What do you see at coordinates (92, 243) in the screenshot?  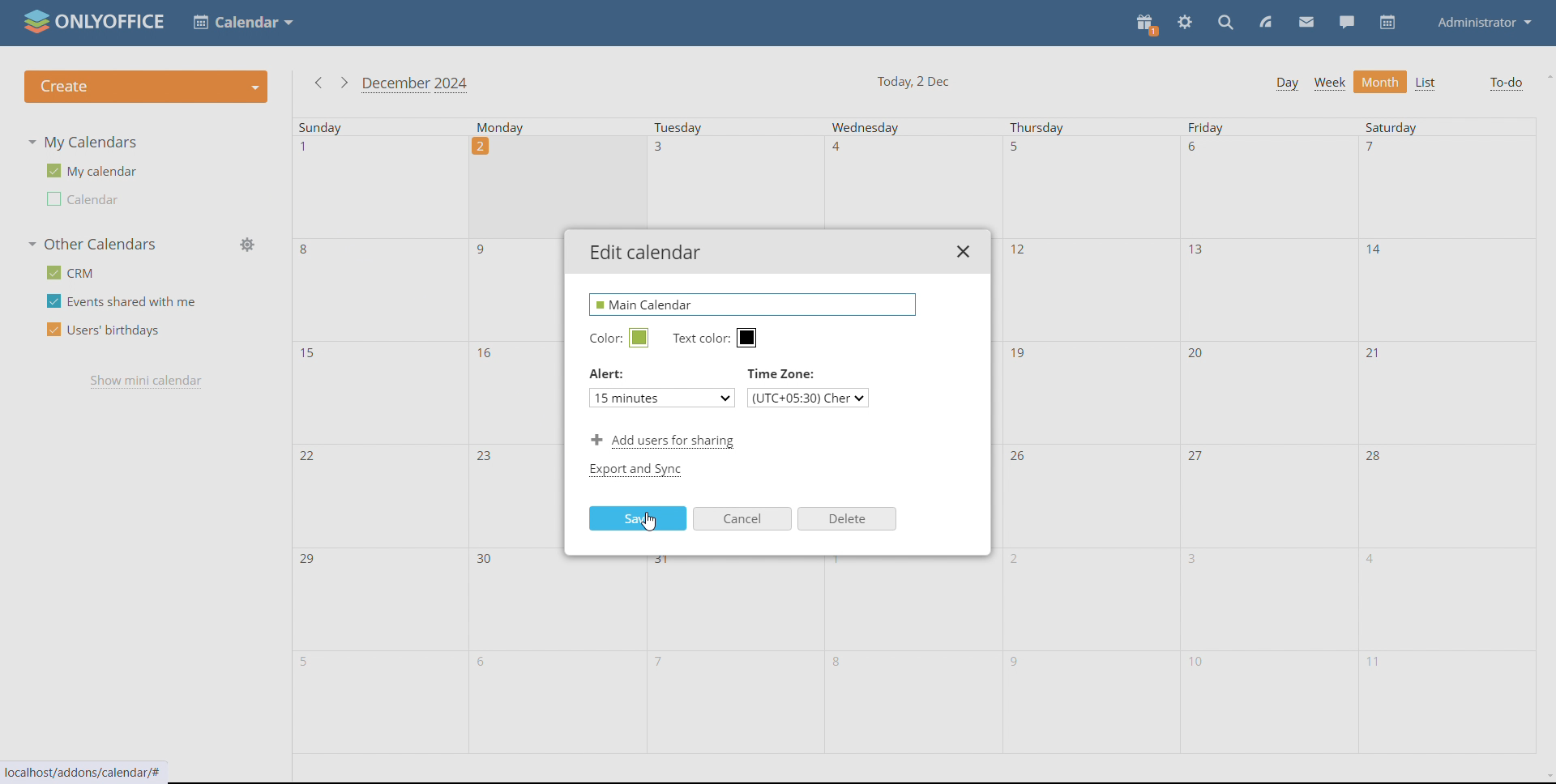 I see `other calendars` at bounding box center [92, 243].